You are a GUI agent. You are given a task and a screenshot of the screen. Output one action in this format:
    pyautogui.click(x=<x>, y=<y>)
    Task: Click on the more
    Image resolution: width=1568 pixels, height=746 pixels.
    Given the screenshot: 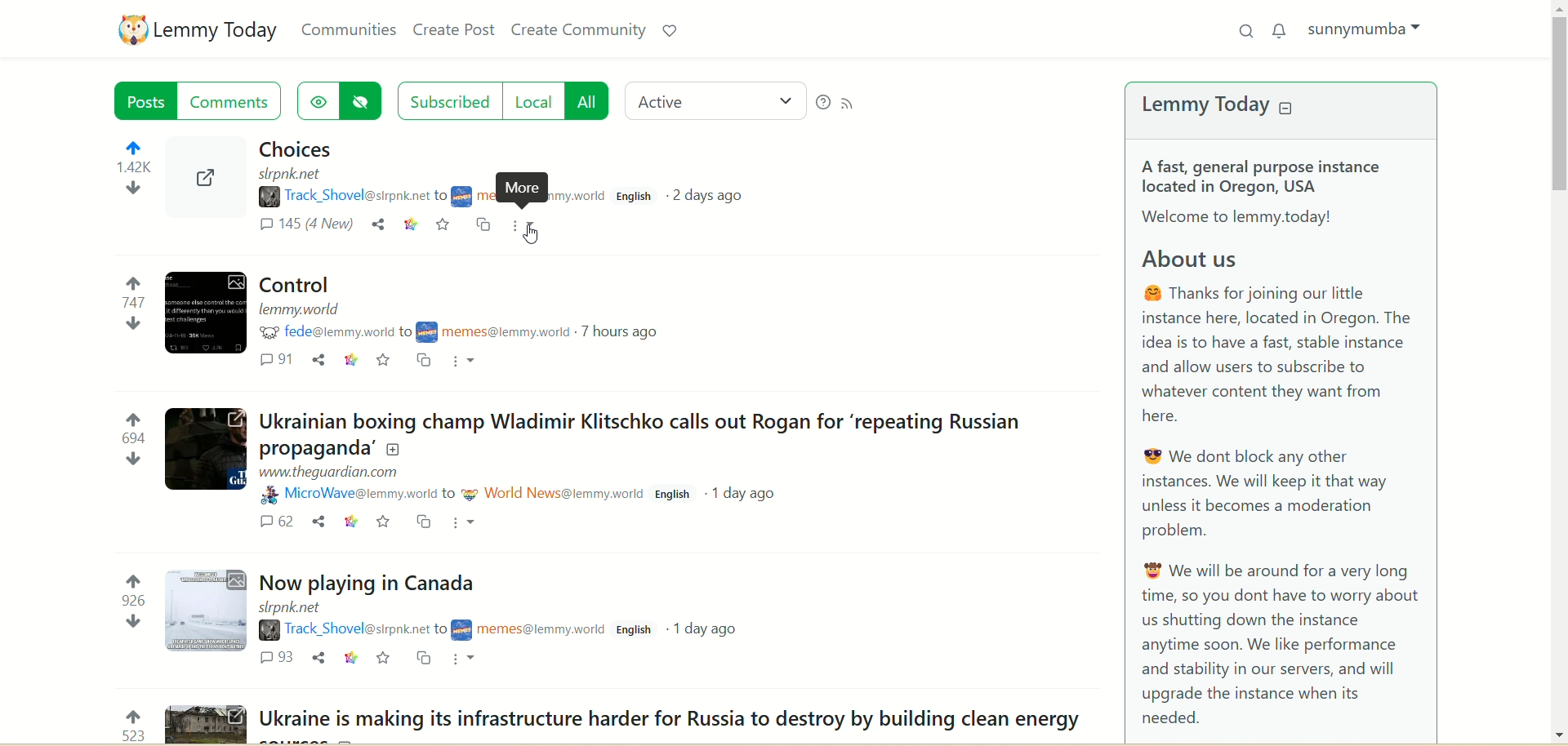 What is the action you would take?
    pyautogui.click(x=528, y=224)
    